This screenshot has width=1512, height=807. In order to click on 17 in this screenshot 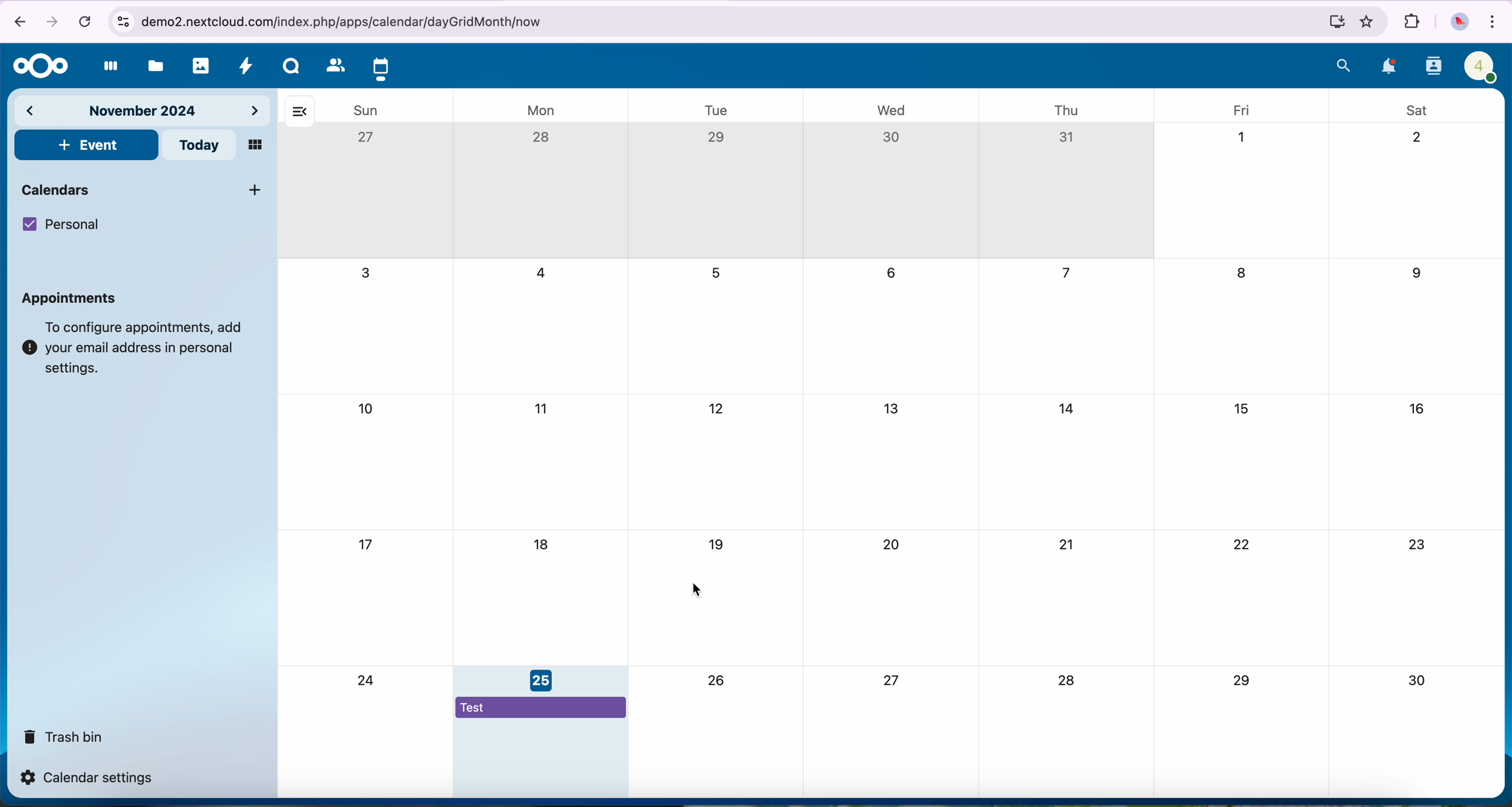, I will do `click(367, 546)`.